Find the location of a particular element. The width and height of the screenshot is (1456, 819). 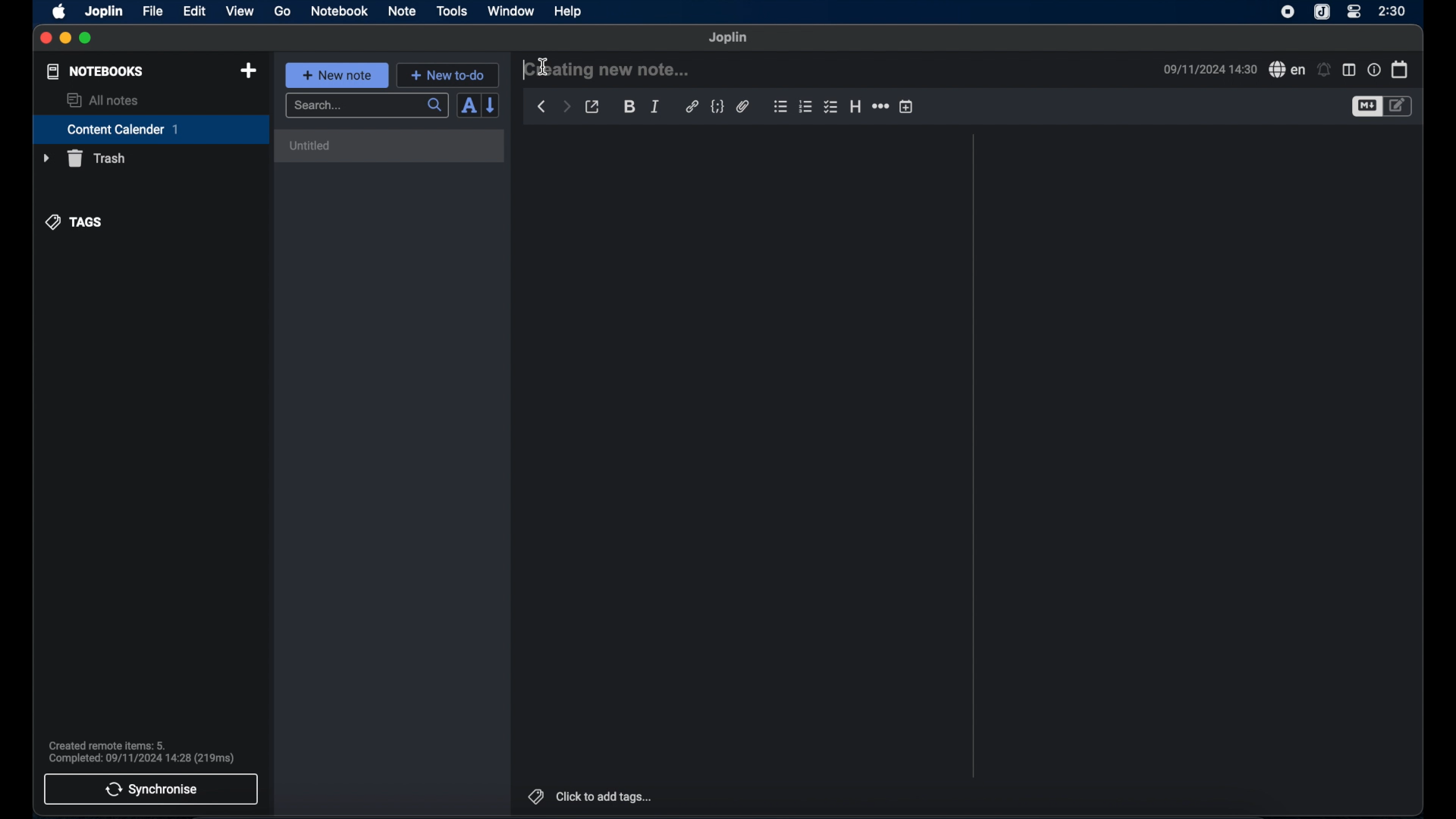

notebook is located at coordinates (338, 11).